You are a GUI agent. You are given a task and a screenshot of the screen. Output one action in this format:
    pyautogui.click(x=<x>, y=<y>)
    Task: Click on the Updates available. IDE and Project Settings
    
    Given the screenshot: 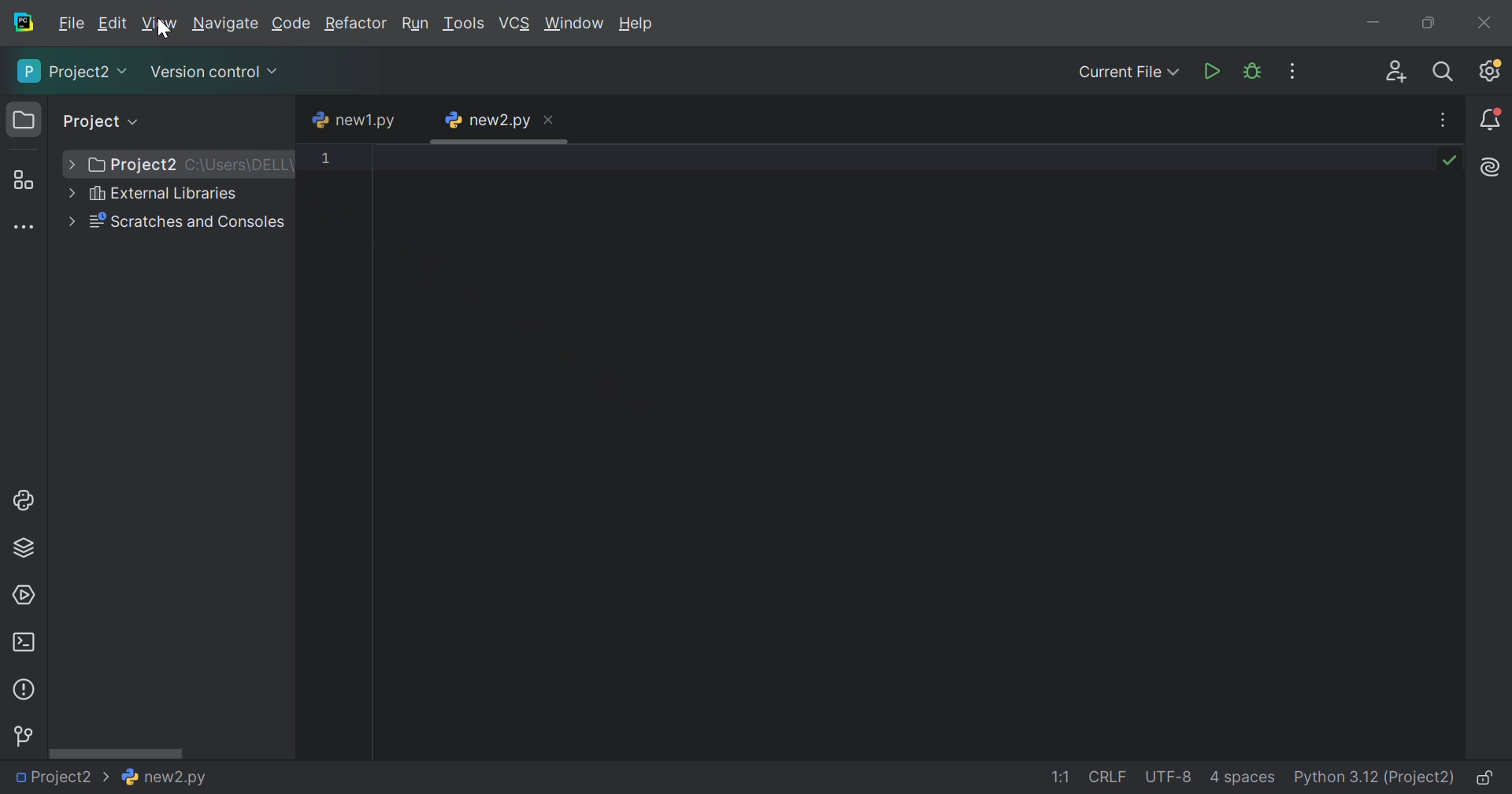 What is the action you would take?
    pyautogui.click(x=1489, y=72)
    